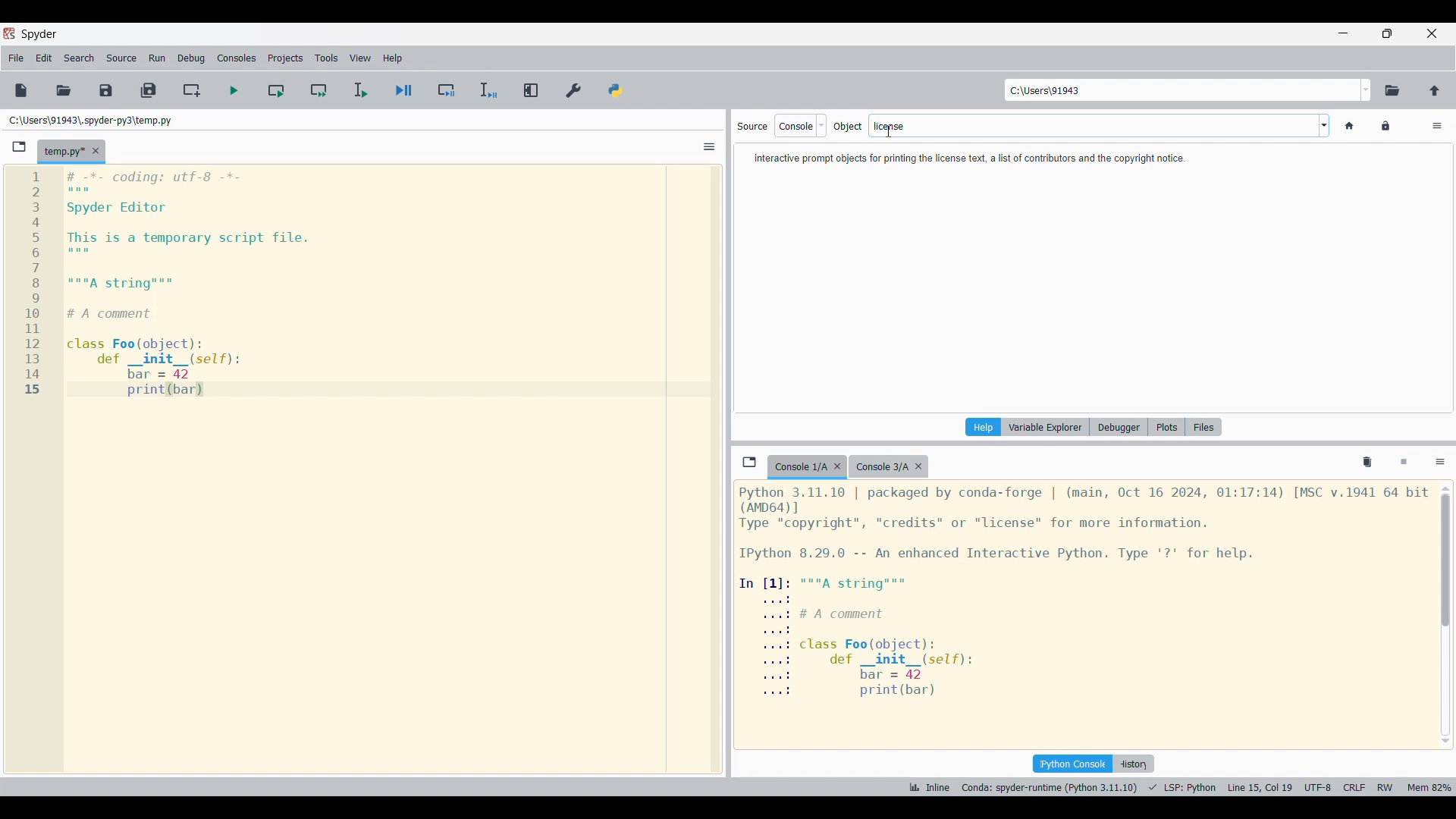 This screenshot has width=1456, height=819. I want to click on Tools menu, so click(326, 58).